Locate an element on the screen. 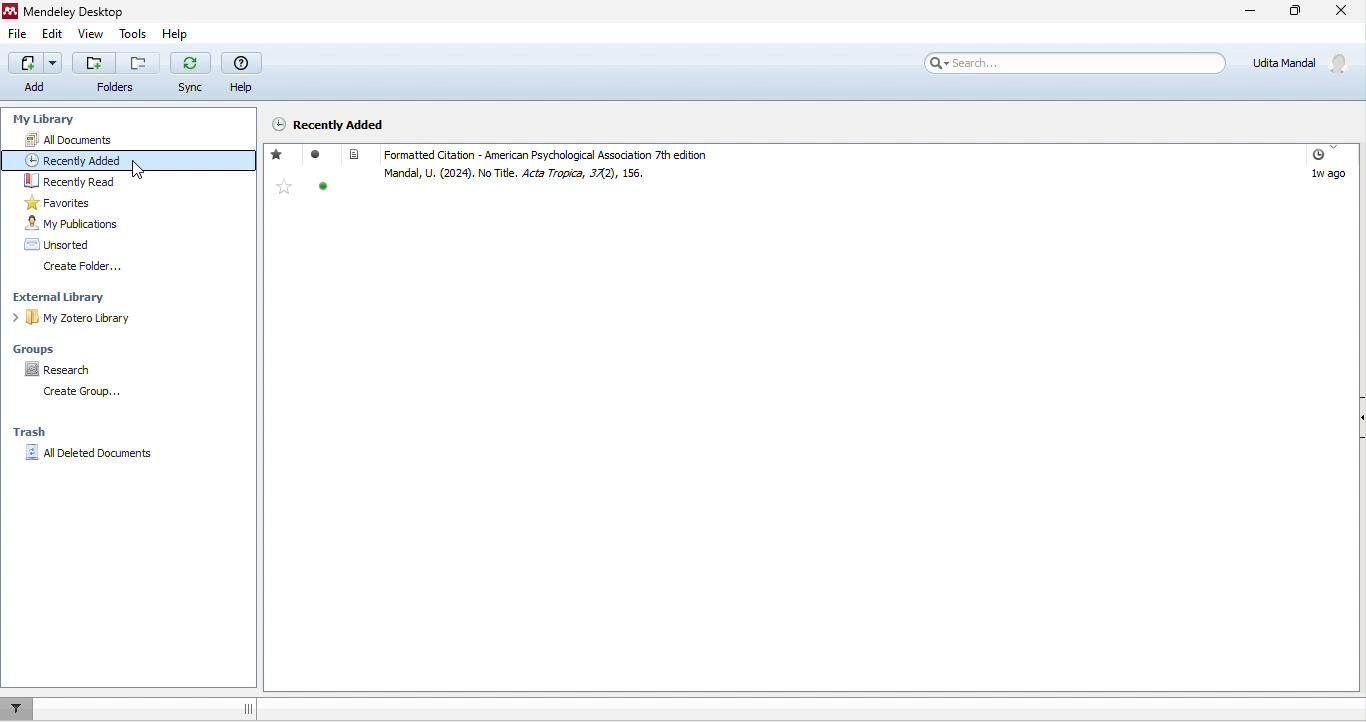  close is located at coordinates (1344, 14).